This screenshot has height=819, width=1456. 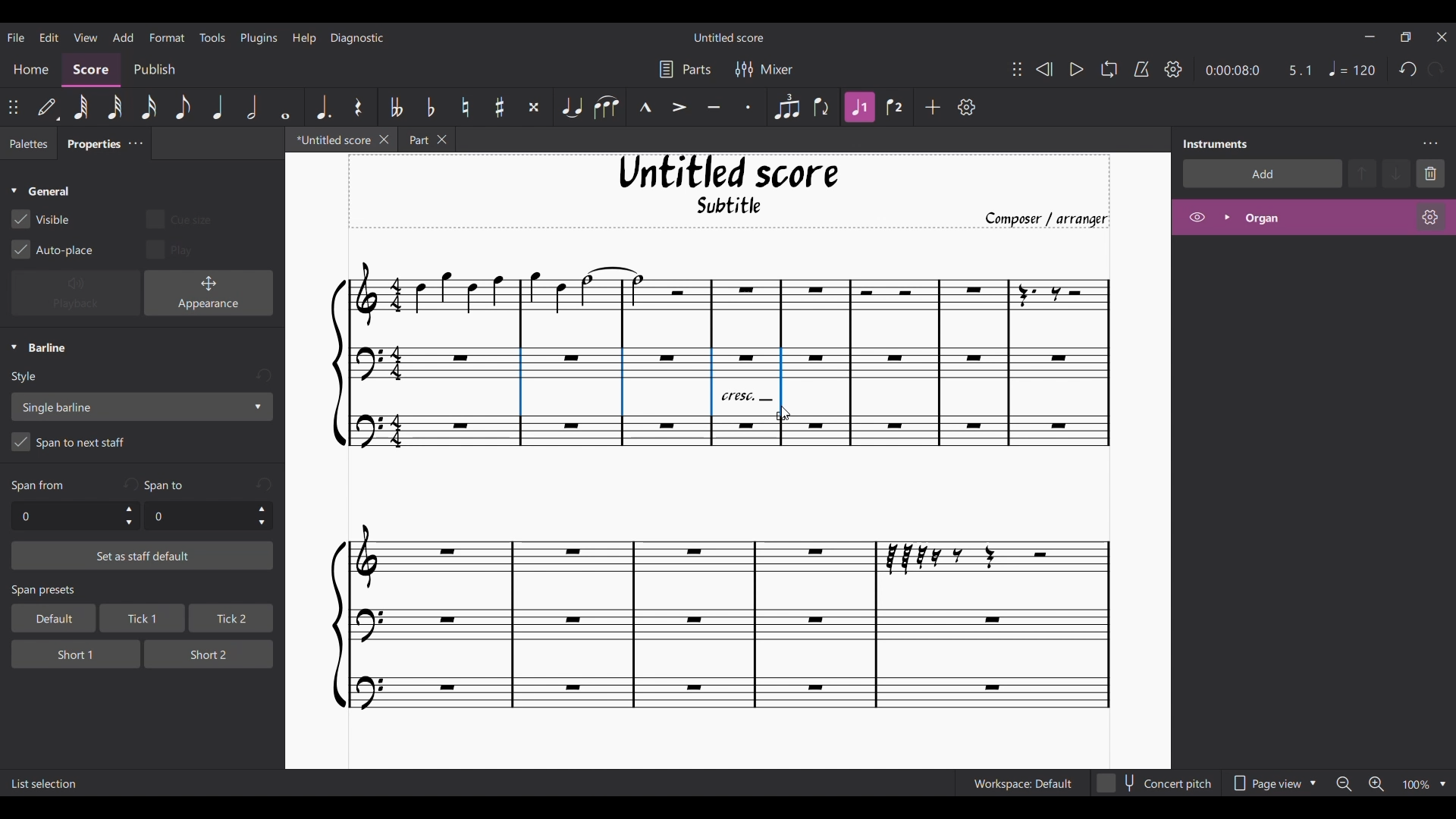 I want to click on default, so click(x=49, y=618).